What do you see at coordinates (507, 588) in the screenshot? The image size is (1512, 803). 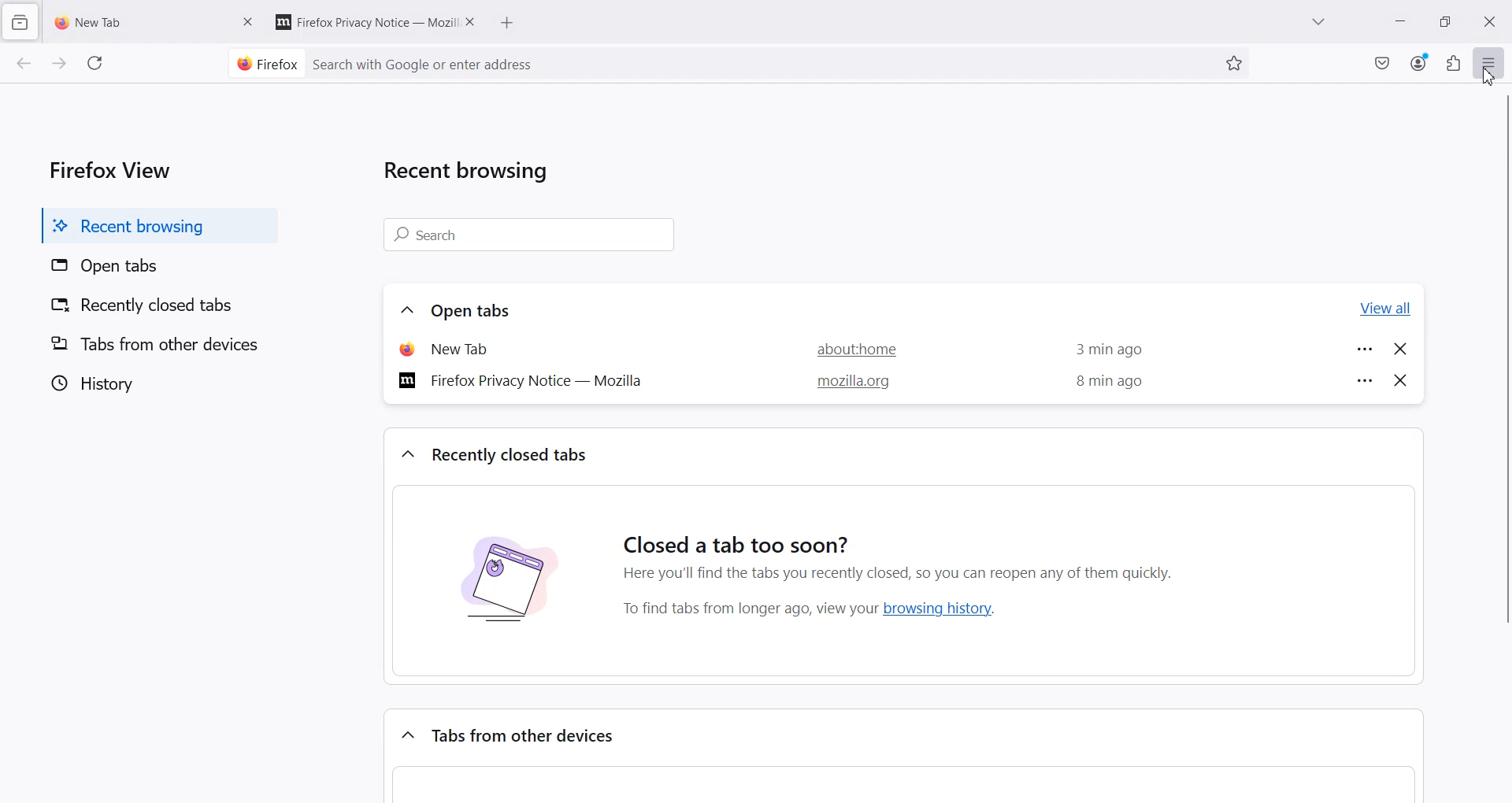 I see `image` at bounding box center [507, 588].